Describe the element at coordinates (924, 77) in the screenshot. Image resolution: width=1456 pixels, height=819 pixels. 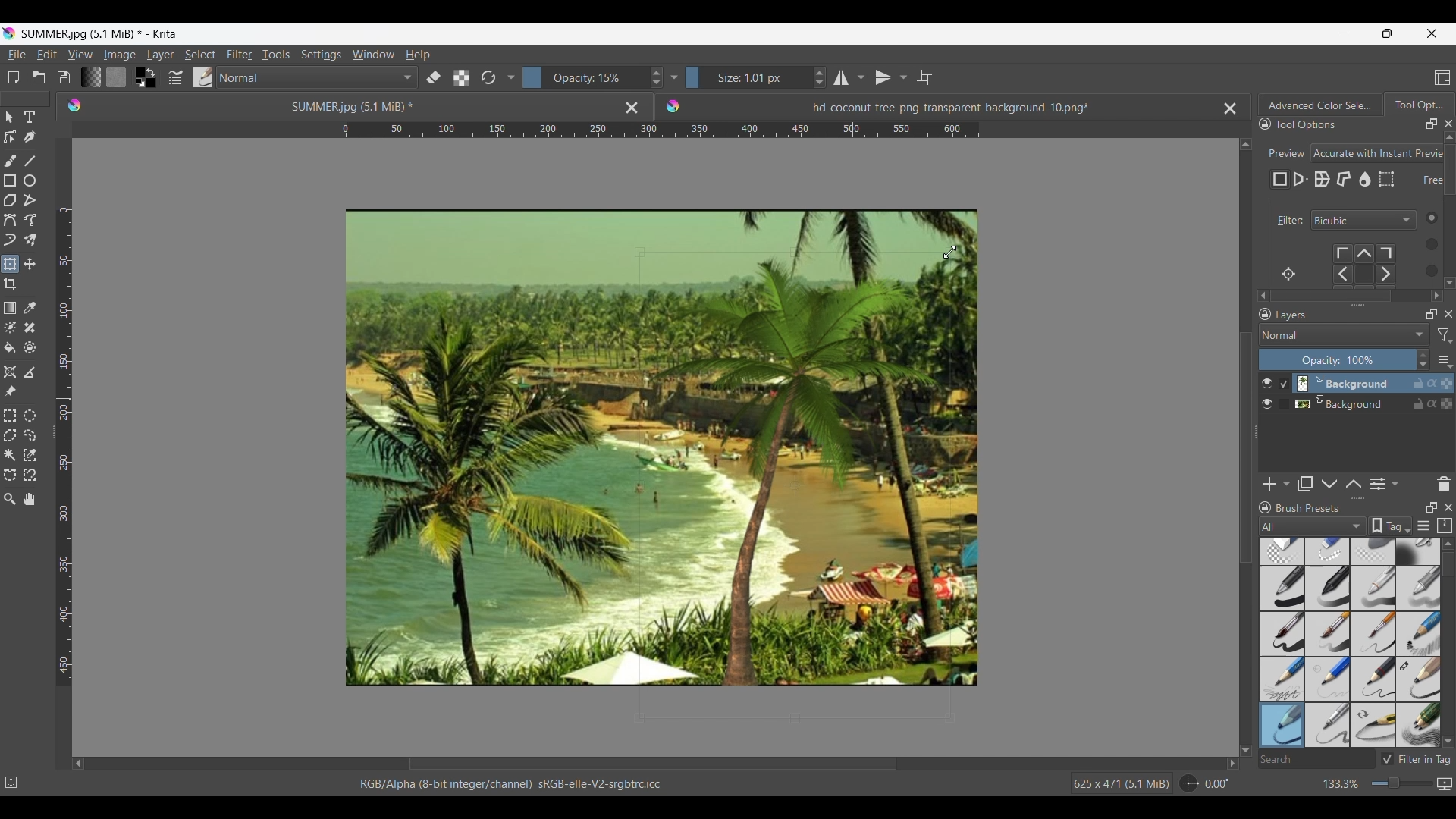
I see `Wrap around mode` at that location.